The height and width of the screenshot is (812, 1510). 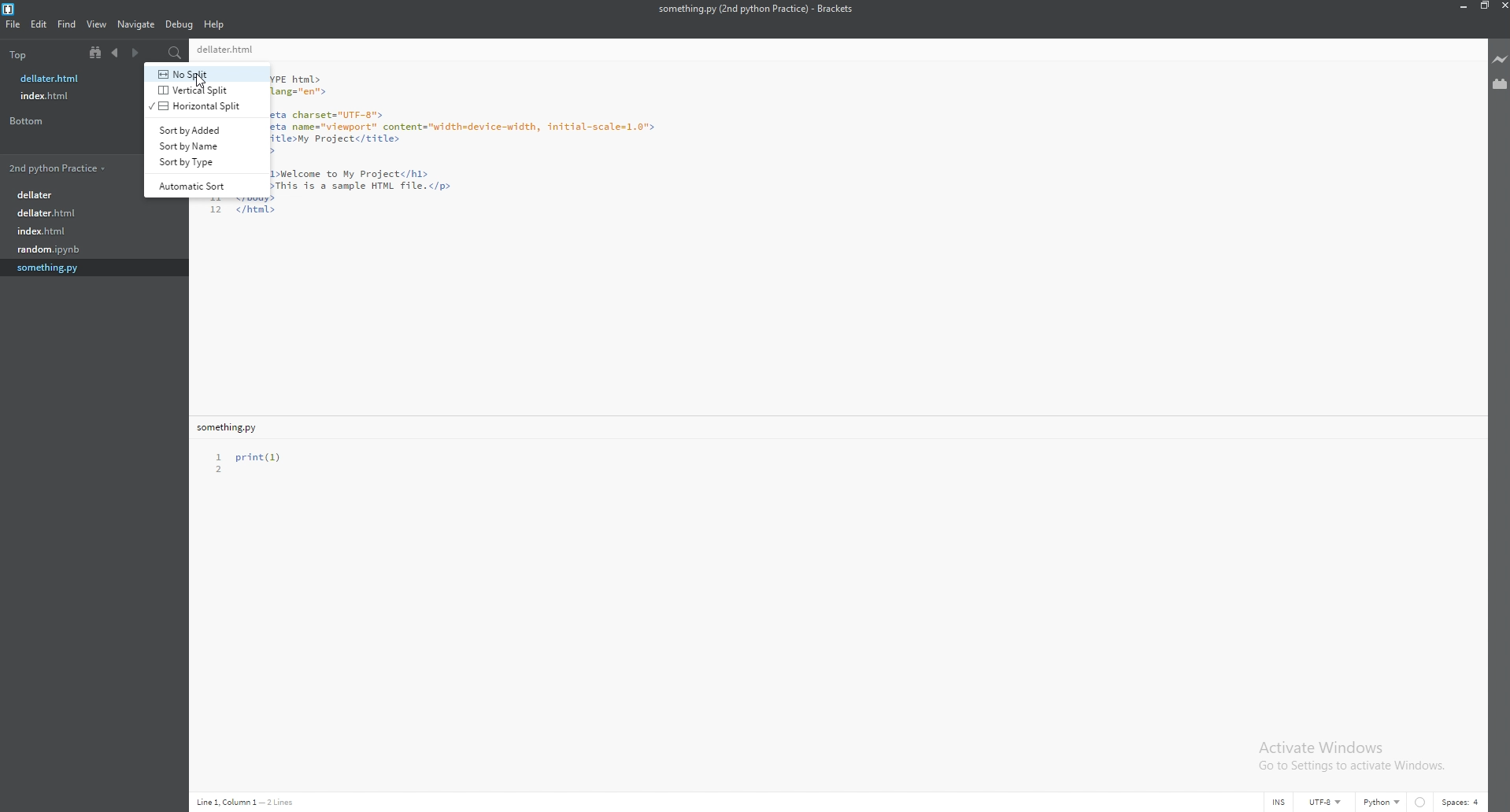 I want to click on navigate, so click(x=137, y=24).